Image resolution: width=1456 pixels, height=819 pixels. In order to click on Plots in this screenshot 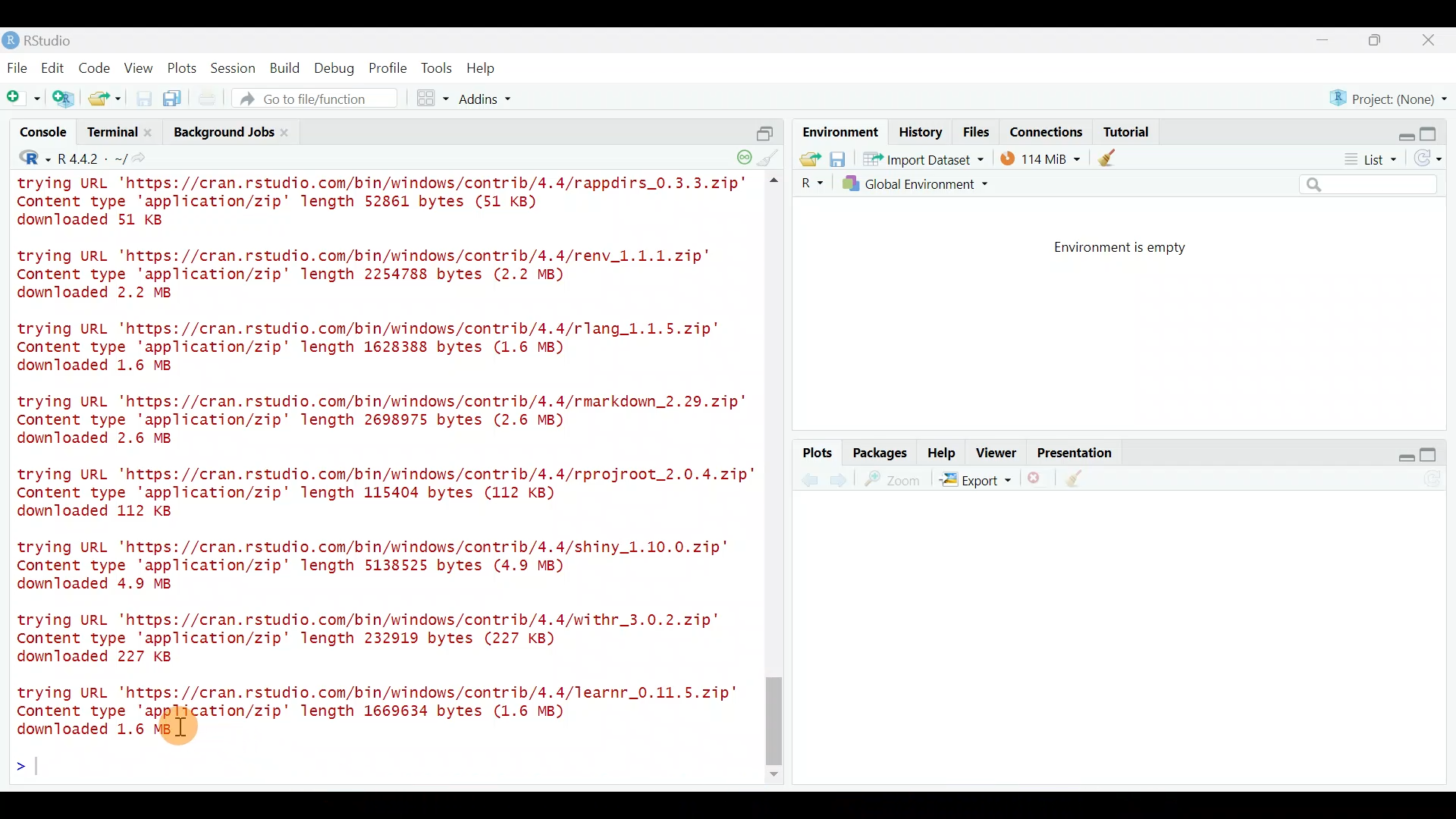, I will do `click(818, 453)`.